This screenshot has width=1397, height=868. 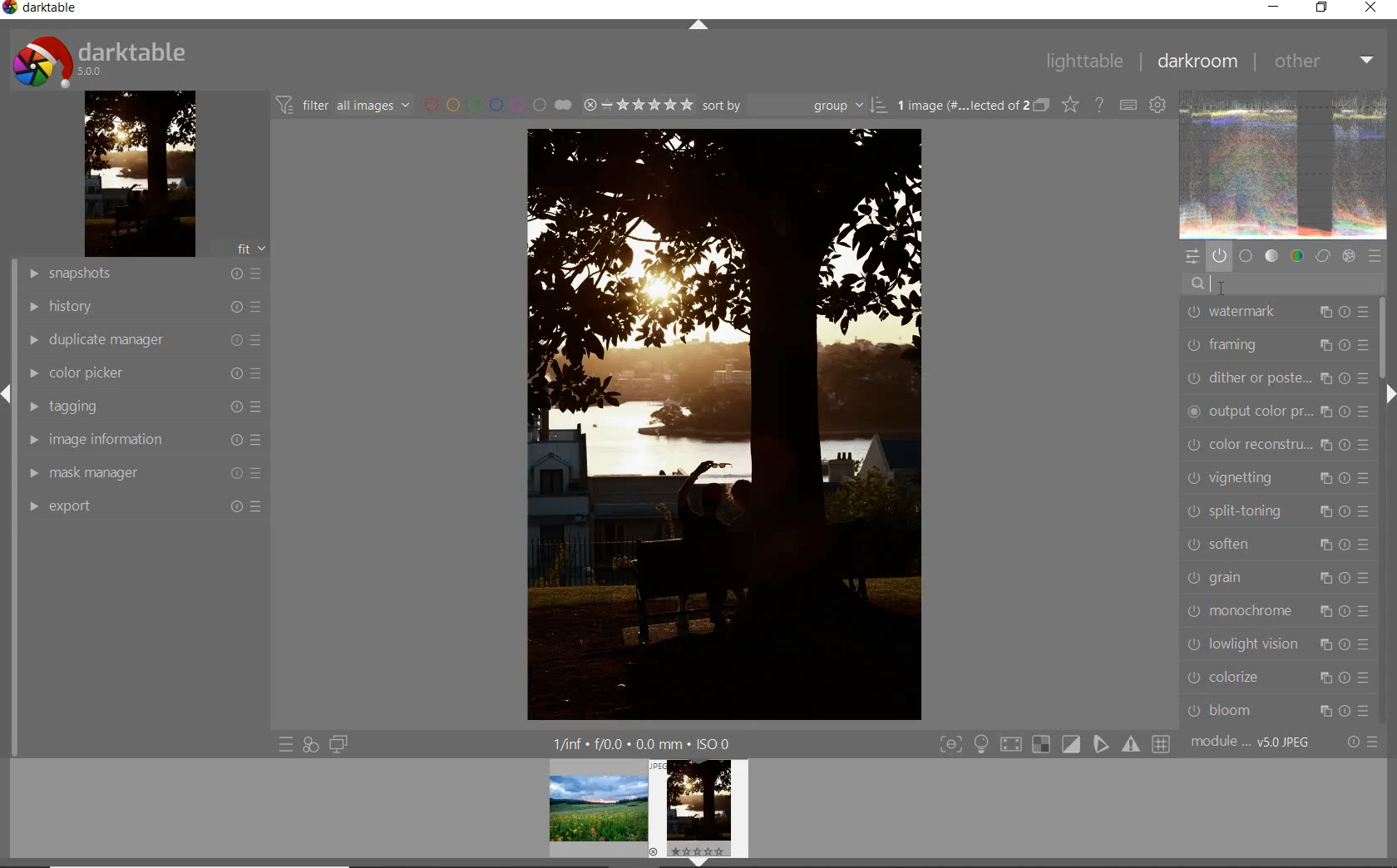 I want to click on monochrome, so click(x=1276, y=611).